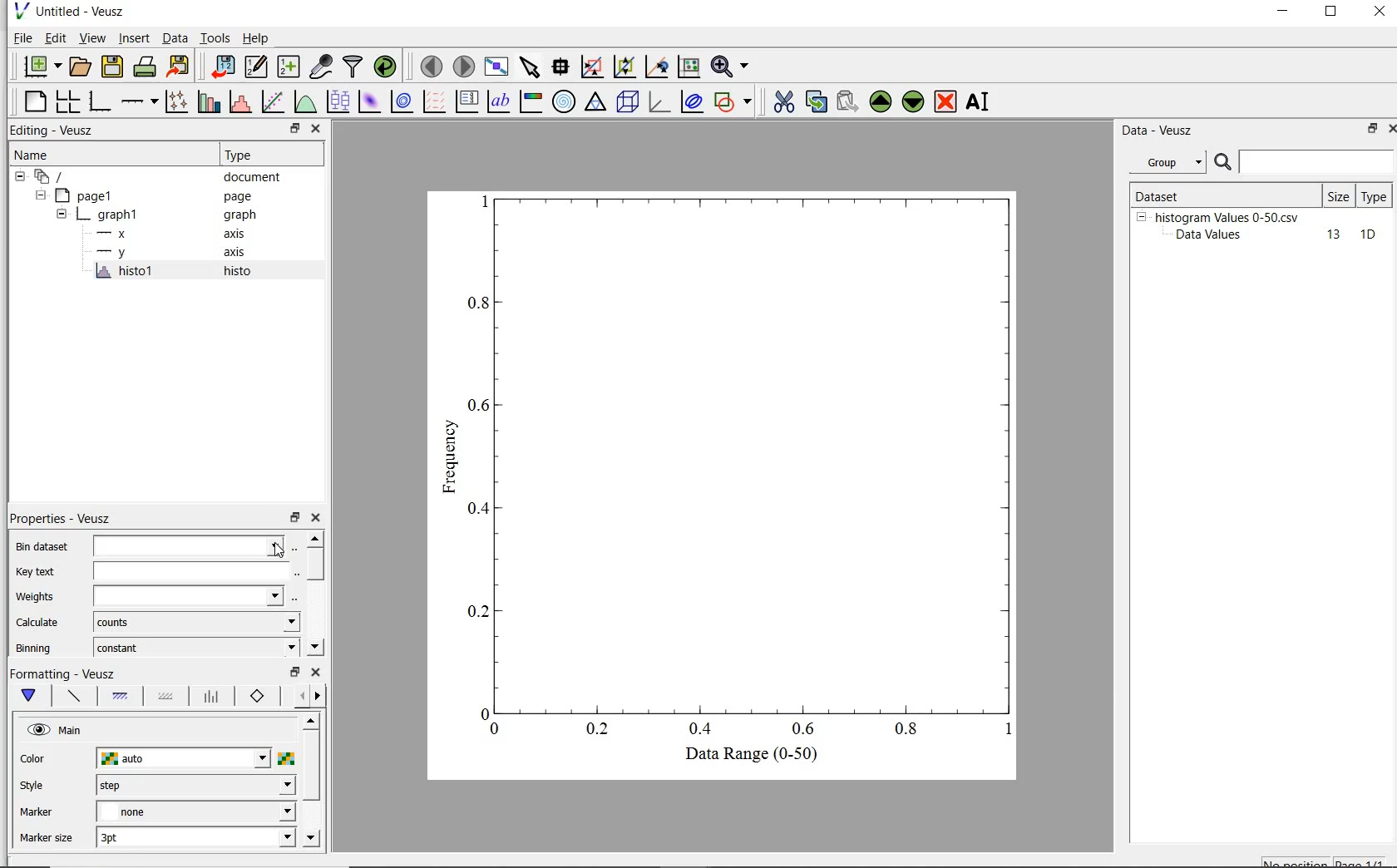 The height and width of the screenshot is (868, 1397). Describe the element at coordinates (38, 624) in the screenshot. I see `Calculate` at that location.